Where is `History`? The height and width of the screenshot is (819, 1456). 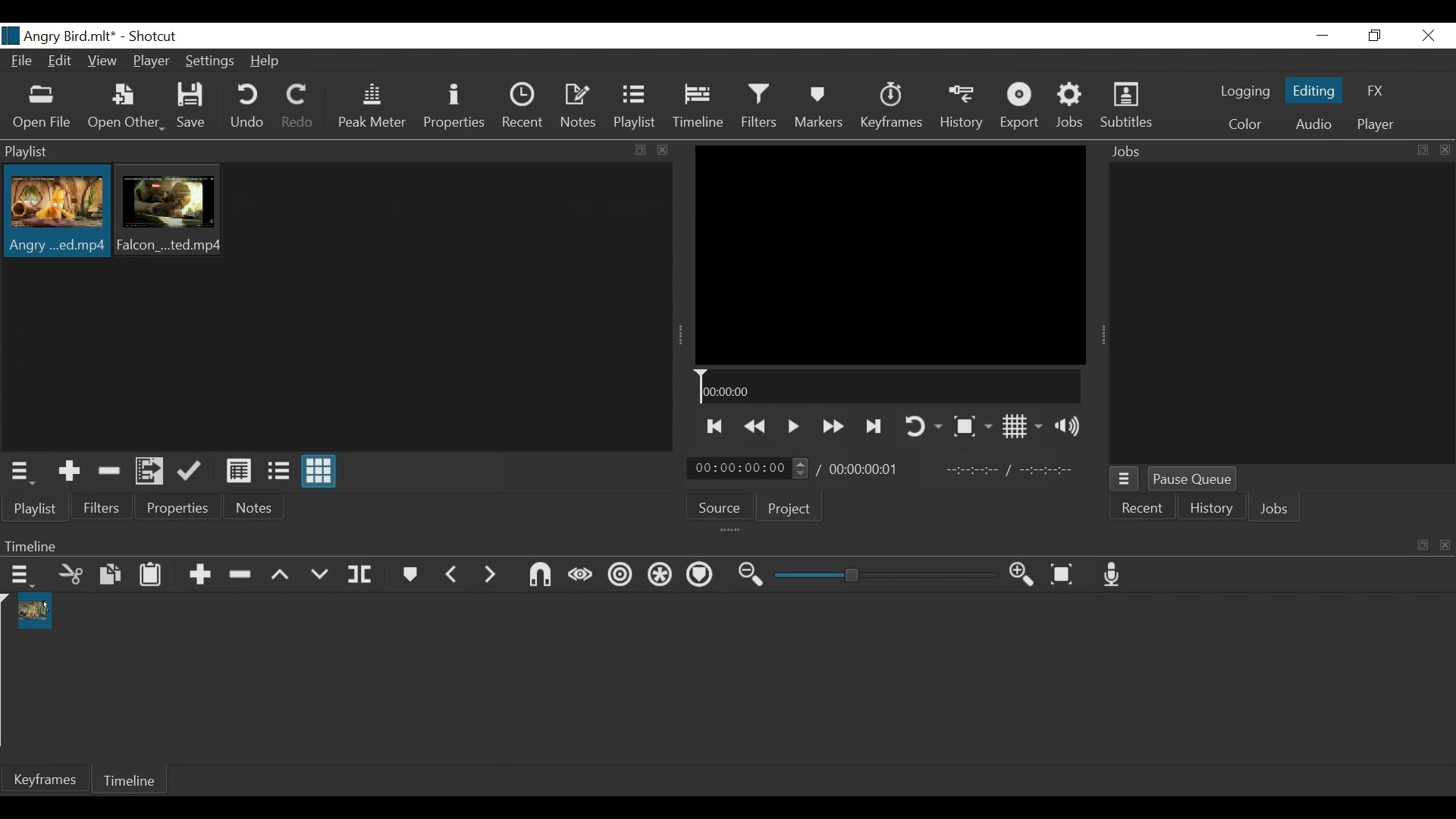
History is located at coordinates (1210, 507).